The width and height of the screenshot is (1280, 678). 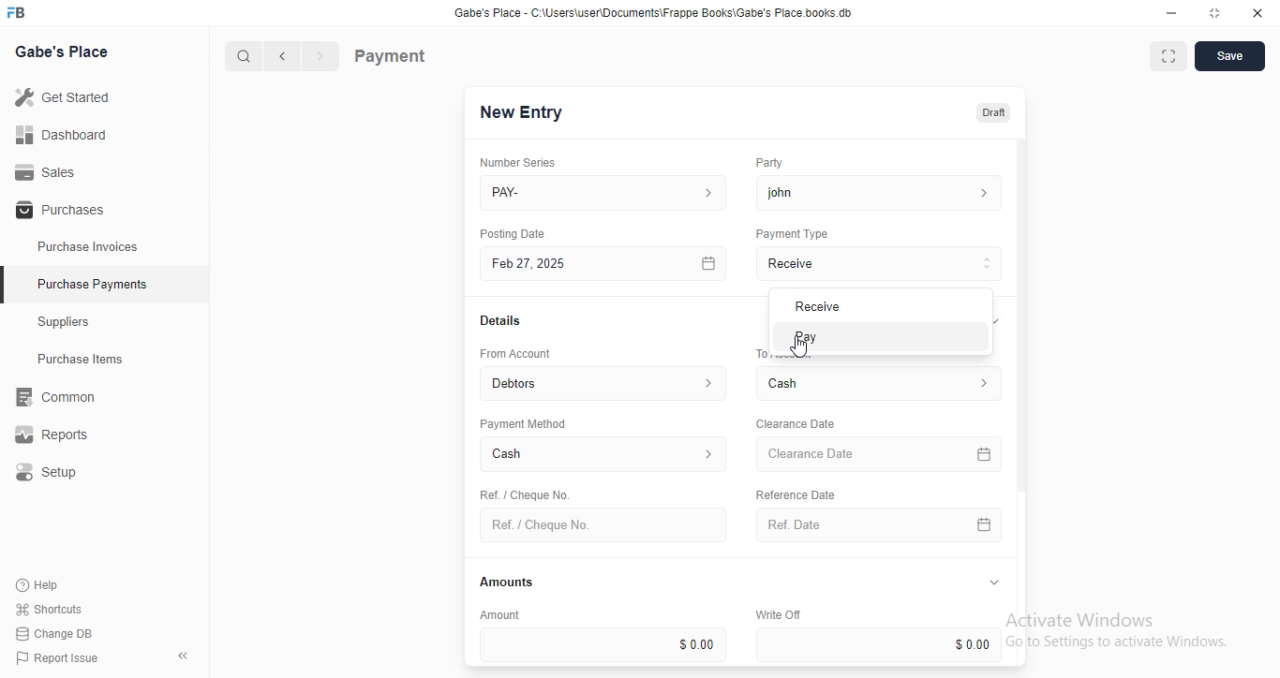 What do you see at coordinates (510, 162) in the screenshot?
I see `Number Series` at bounding box center [510, 162].